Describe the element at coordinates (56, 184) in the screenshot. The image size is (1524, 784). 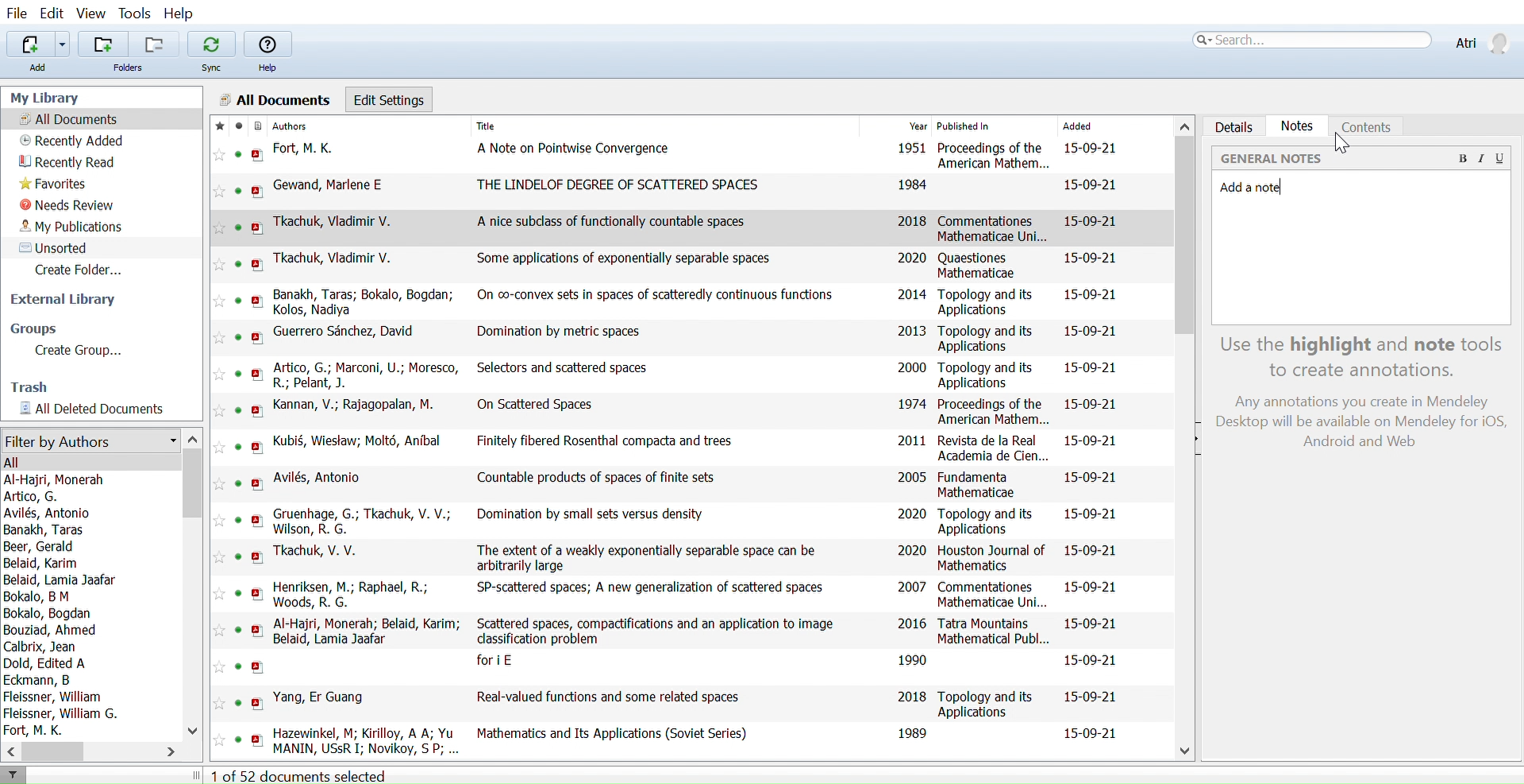
I see `Favorites` at that location.